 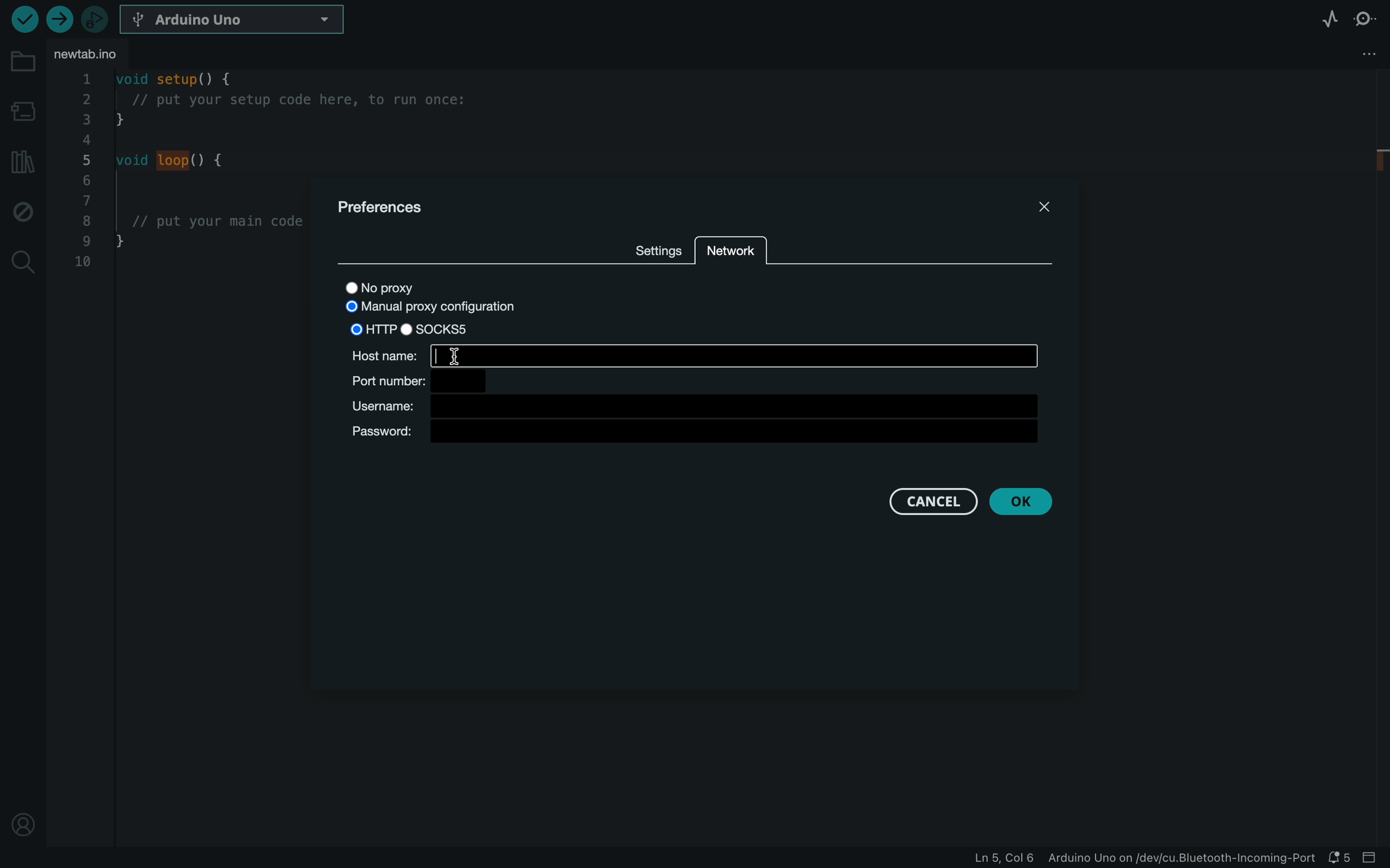 I want to click on upload, so click(x=61, y=18).